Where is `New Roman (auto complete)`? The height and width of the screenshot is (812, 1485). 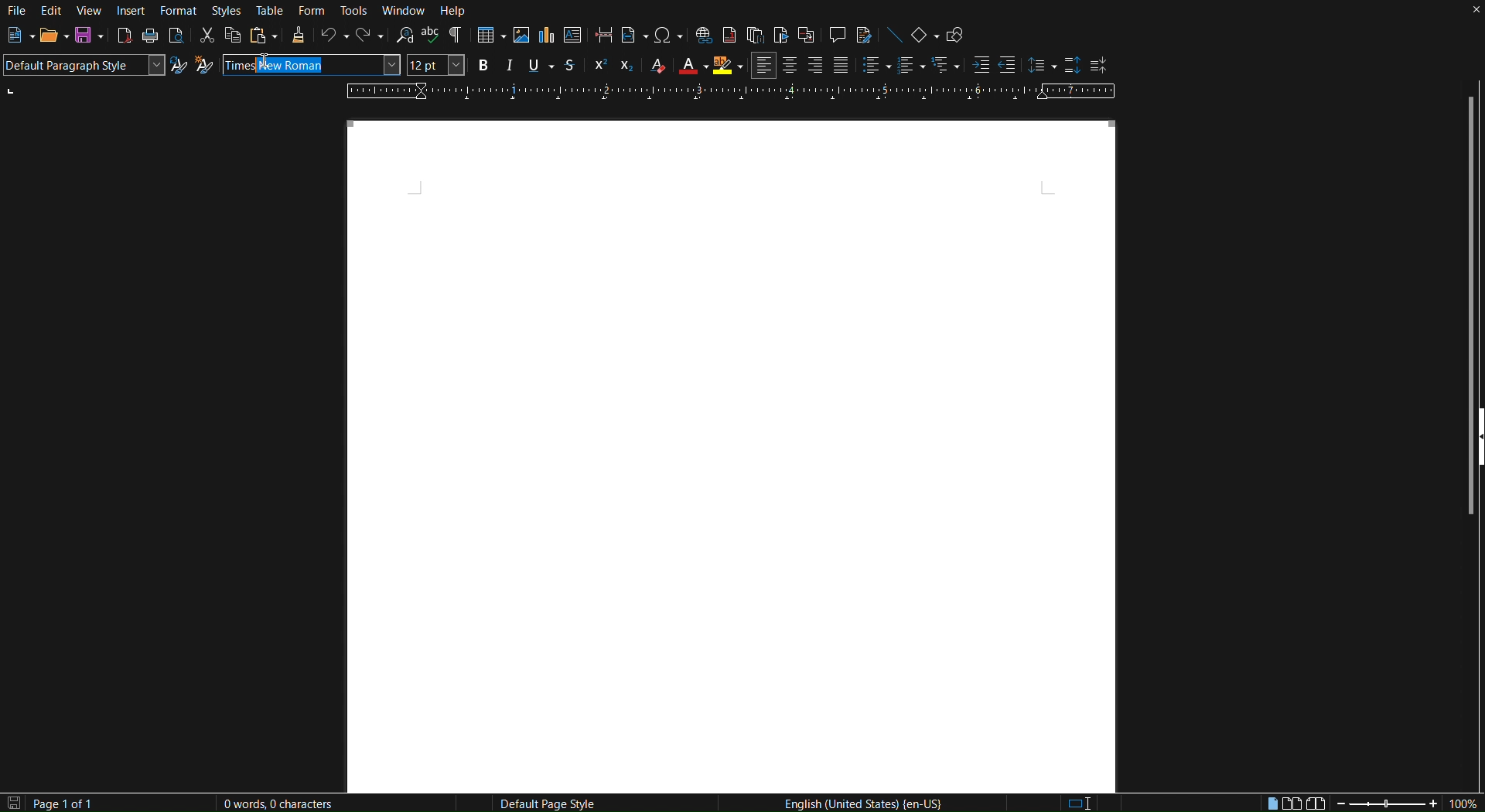
New Roman (auto complete) is located at coordinates (302, 65).